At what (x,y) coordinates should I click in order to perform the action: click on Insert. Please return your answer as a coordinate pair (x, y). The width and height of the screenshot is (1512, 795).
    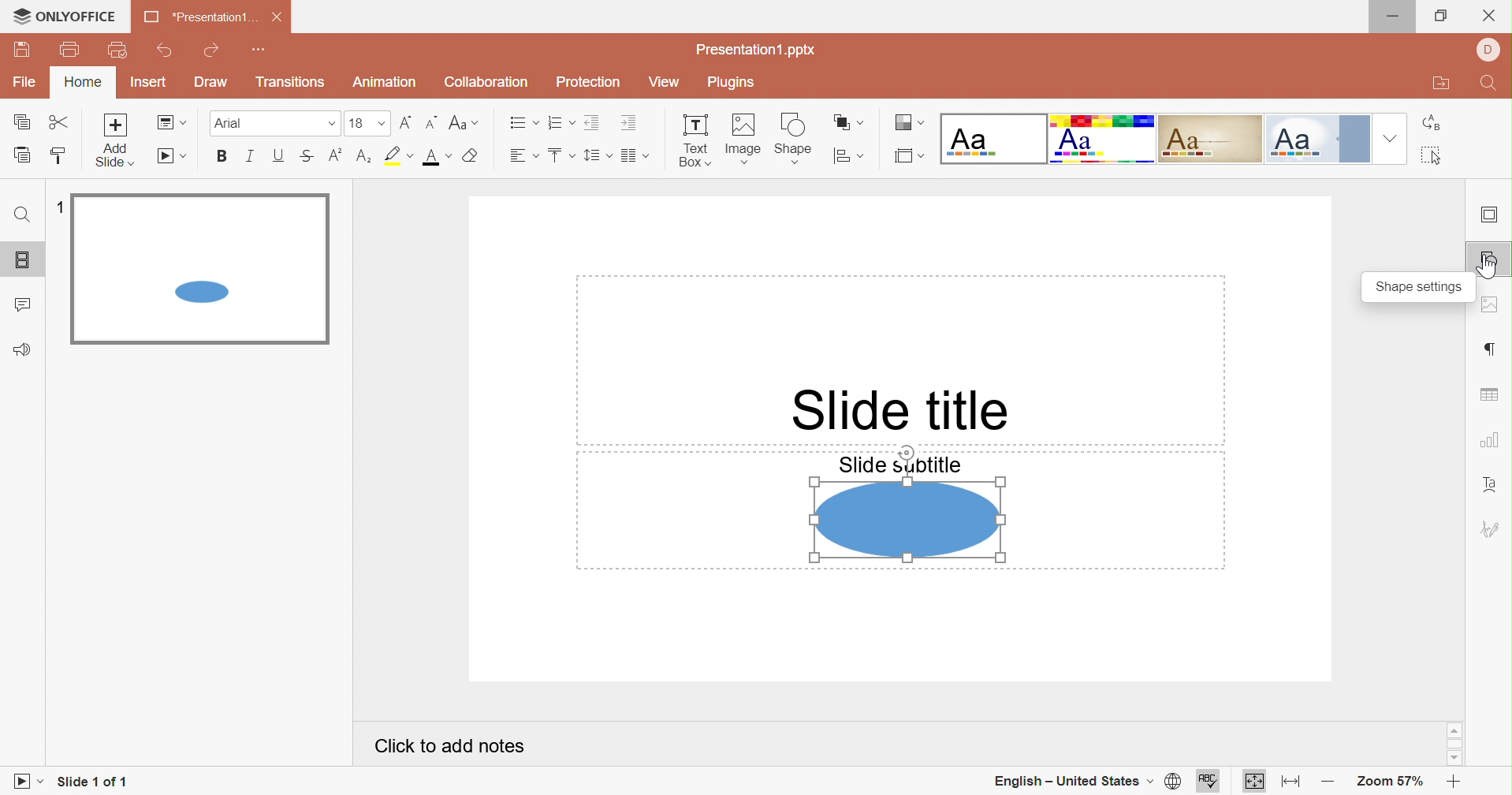
    Looking at the image, I should click on (153, 84).